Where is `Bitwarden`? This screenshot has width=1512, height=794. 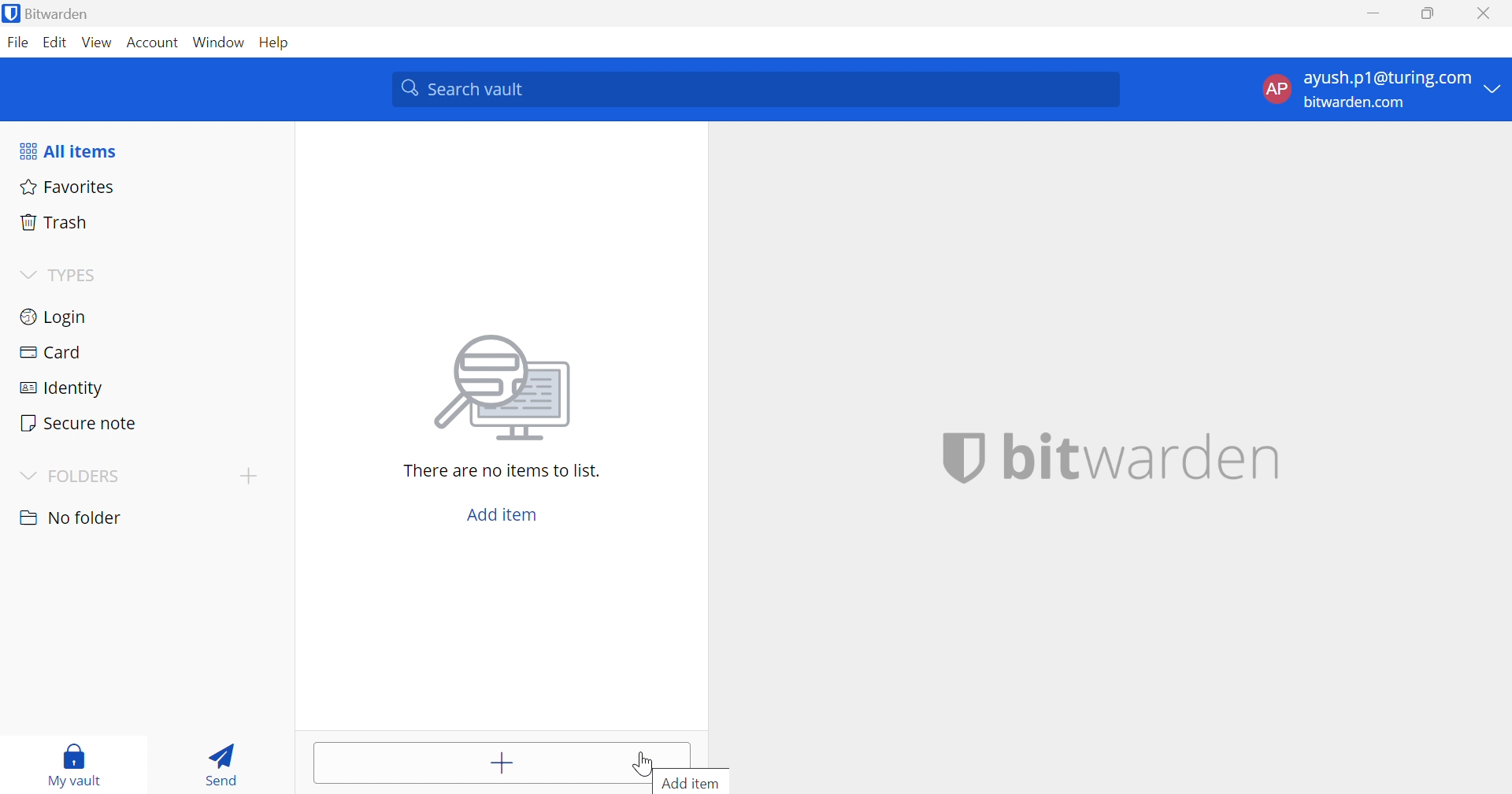 Bitwarden is located at coordinates (57, 13).